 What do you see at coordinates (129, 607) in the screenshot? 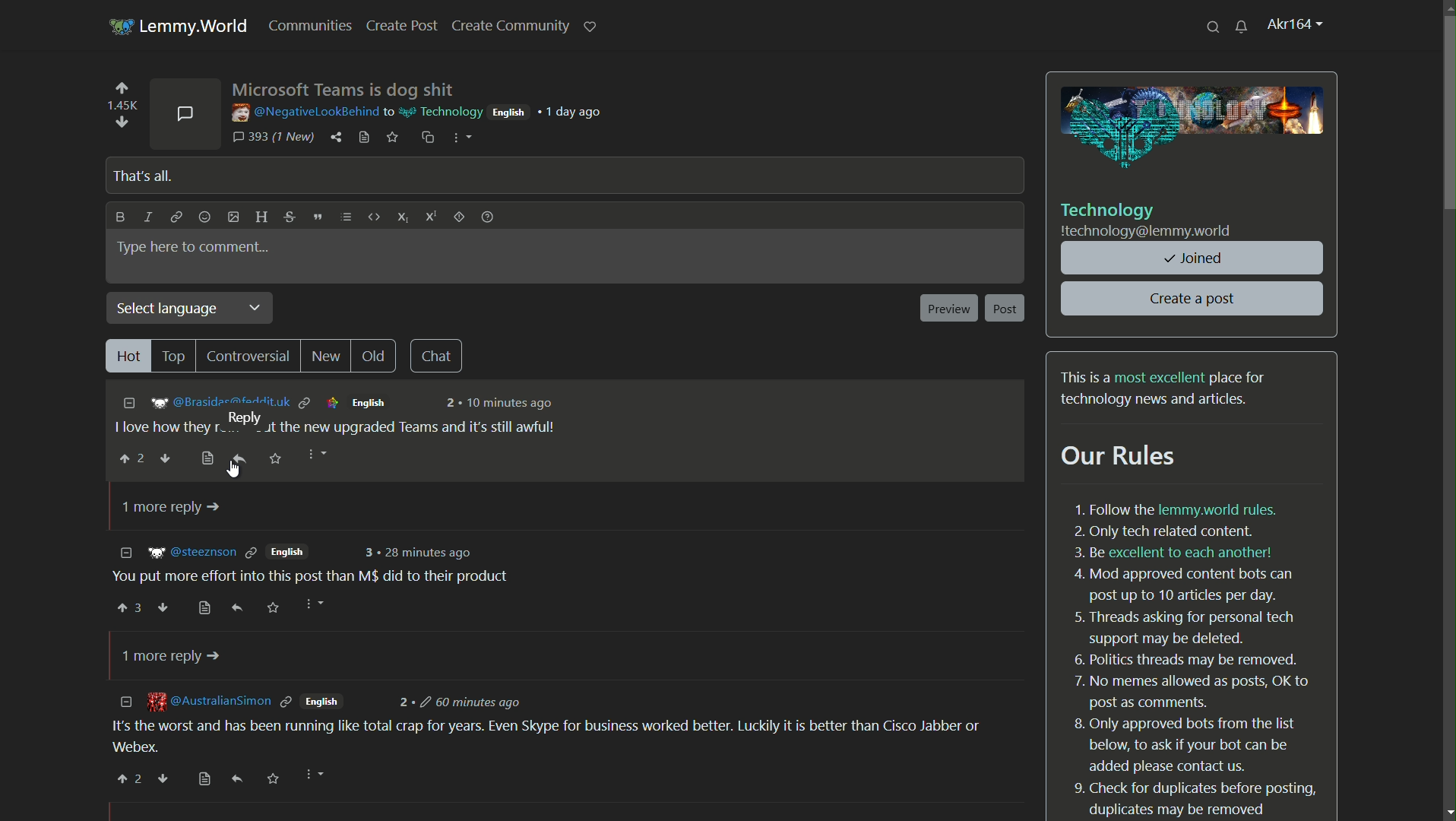
I see `upvote` at bounding box center [129, 607].